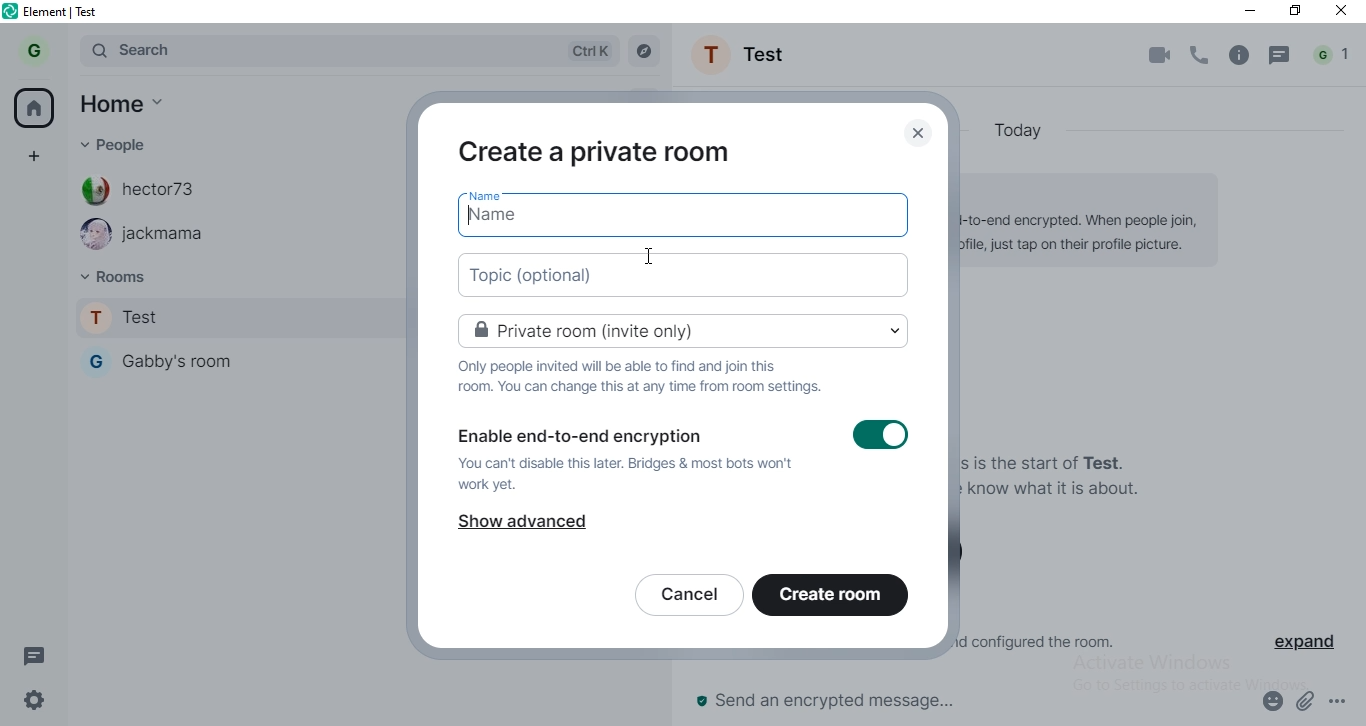 Image resolution: width=1366 pixels, height=726 pixels. What do you see at coordinates (644, 53) in the screenshot?
I see `navigate` at bounding box center [644, 53].